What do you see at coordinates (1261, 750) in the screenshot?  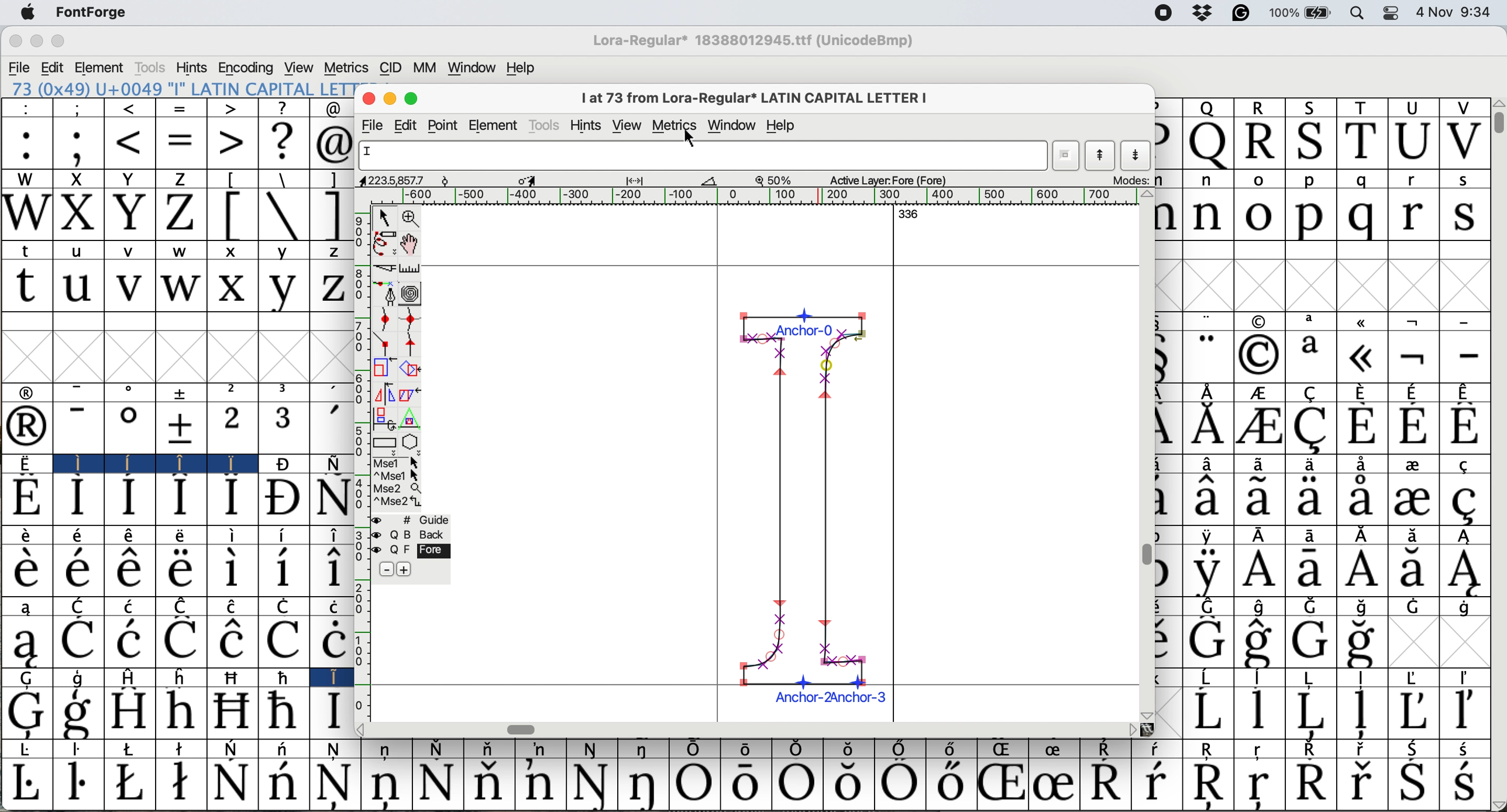 I see `Symbol` at bounding box center [1261, 750].